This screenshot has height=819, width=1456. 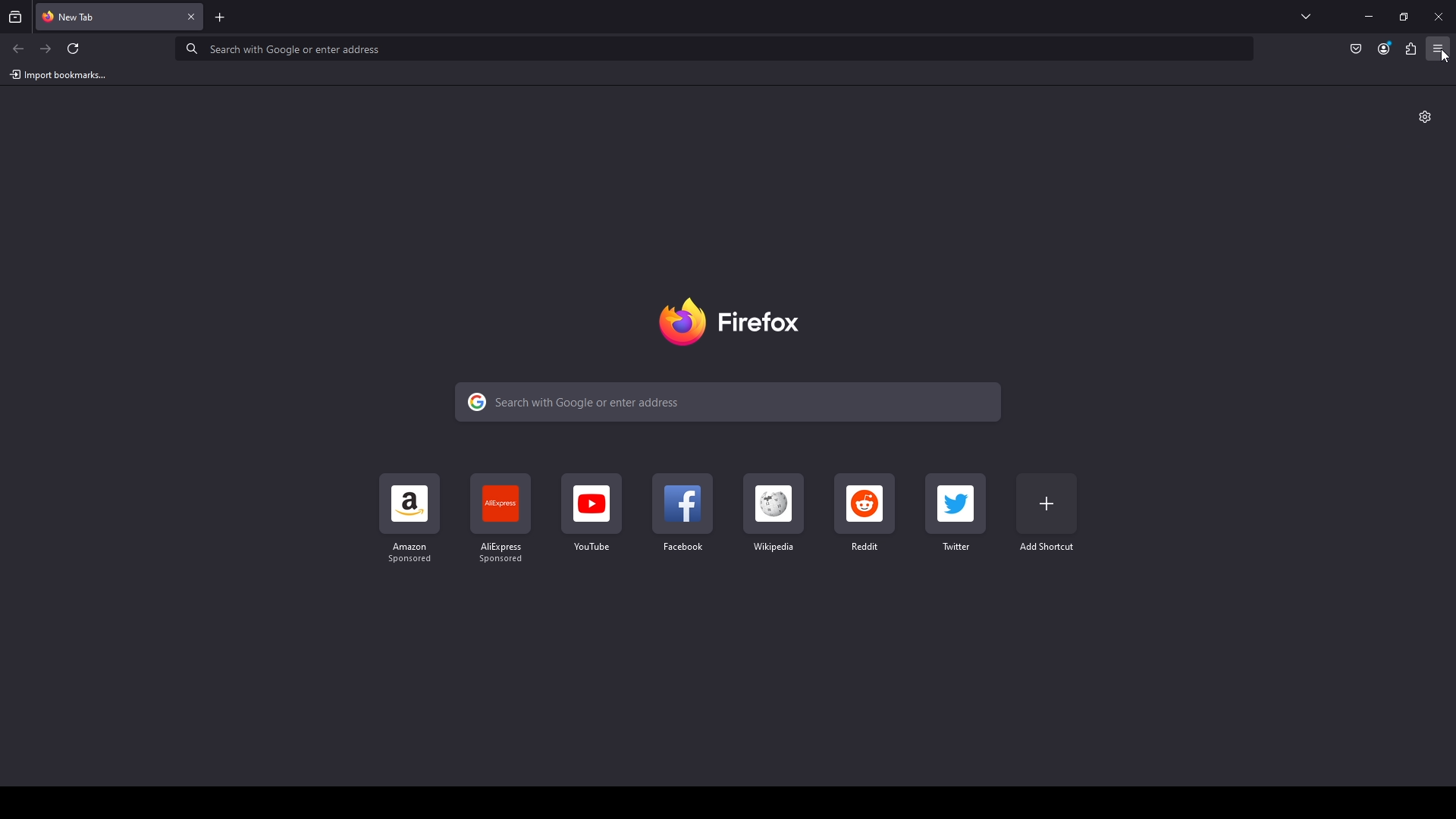 What do you see at coordinates (1370, 17) in the screenshot?
I see `Minimize` at bounding box center [1370, 17].